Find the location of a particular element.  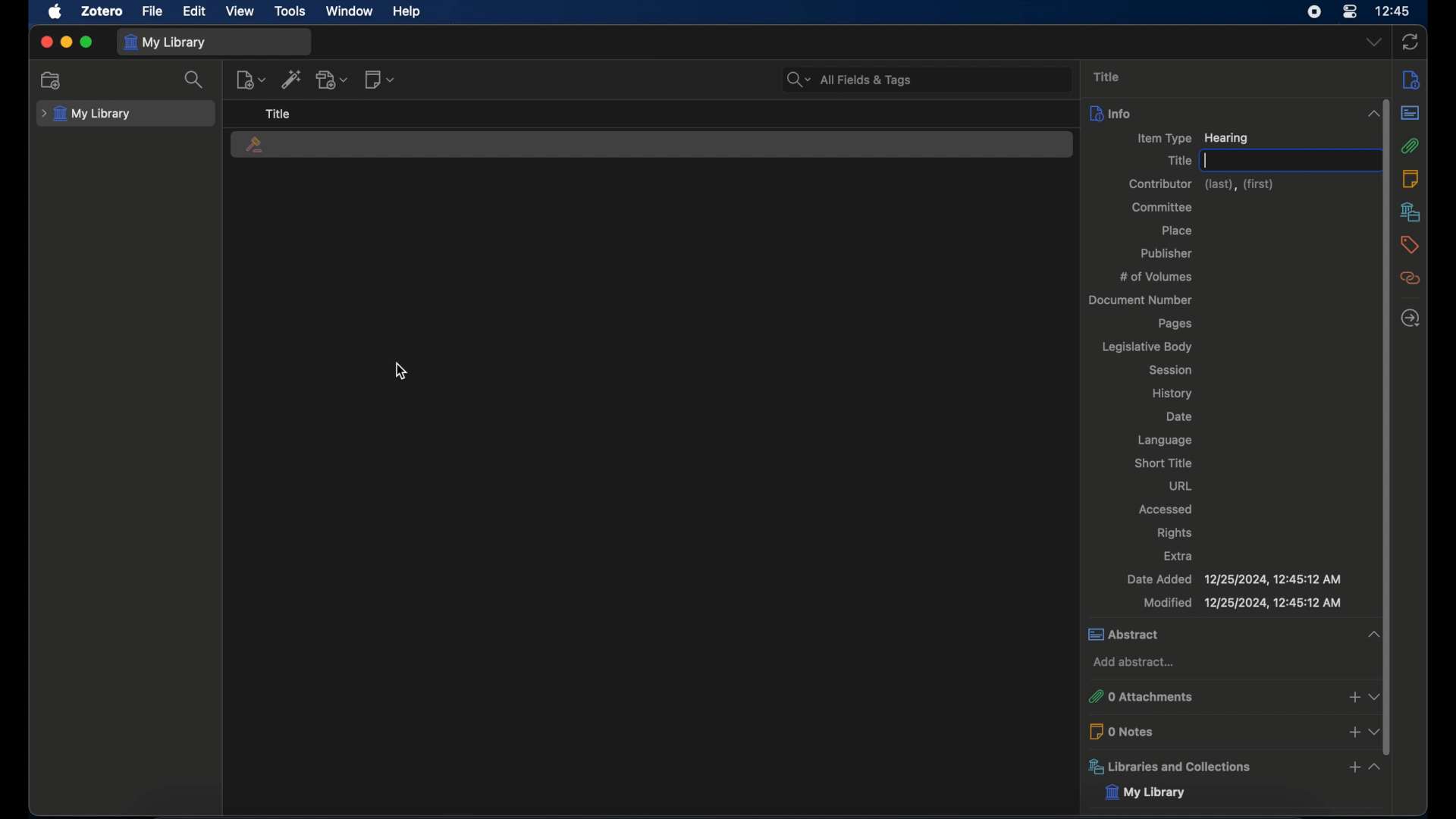

file is located at coordinates (154, 11).